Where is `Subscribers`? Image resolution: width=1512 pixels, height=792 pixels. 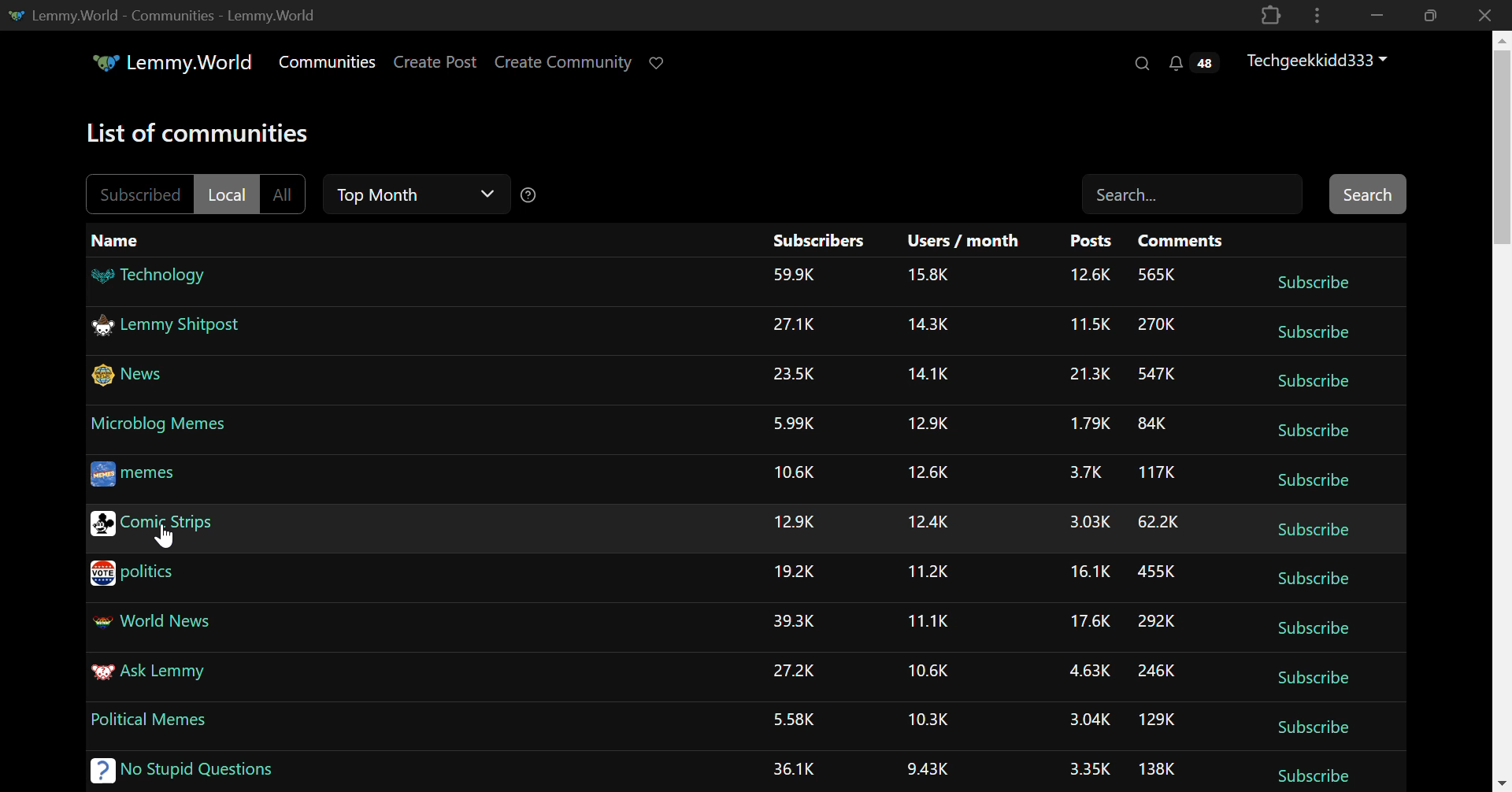
Subscribers is located at coordinates (817, 242).